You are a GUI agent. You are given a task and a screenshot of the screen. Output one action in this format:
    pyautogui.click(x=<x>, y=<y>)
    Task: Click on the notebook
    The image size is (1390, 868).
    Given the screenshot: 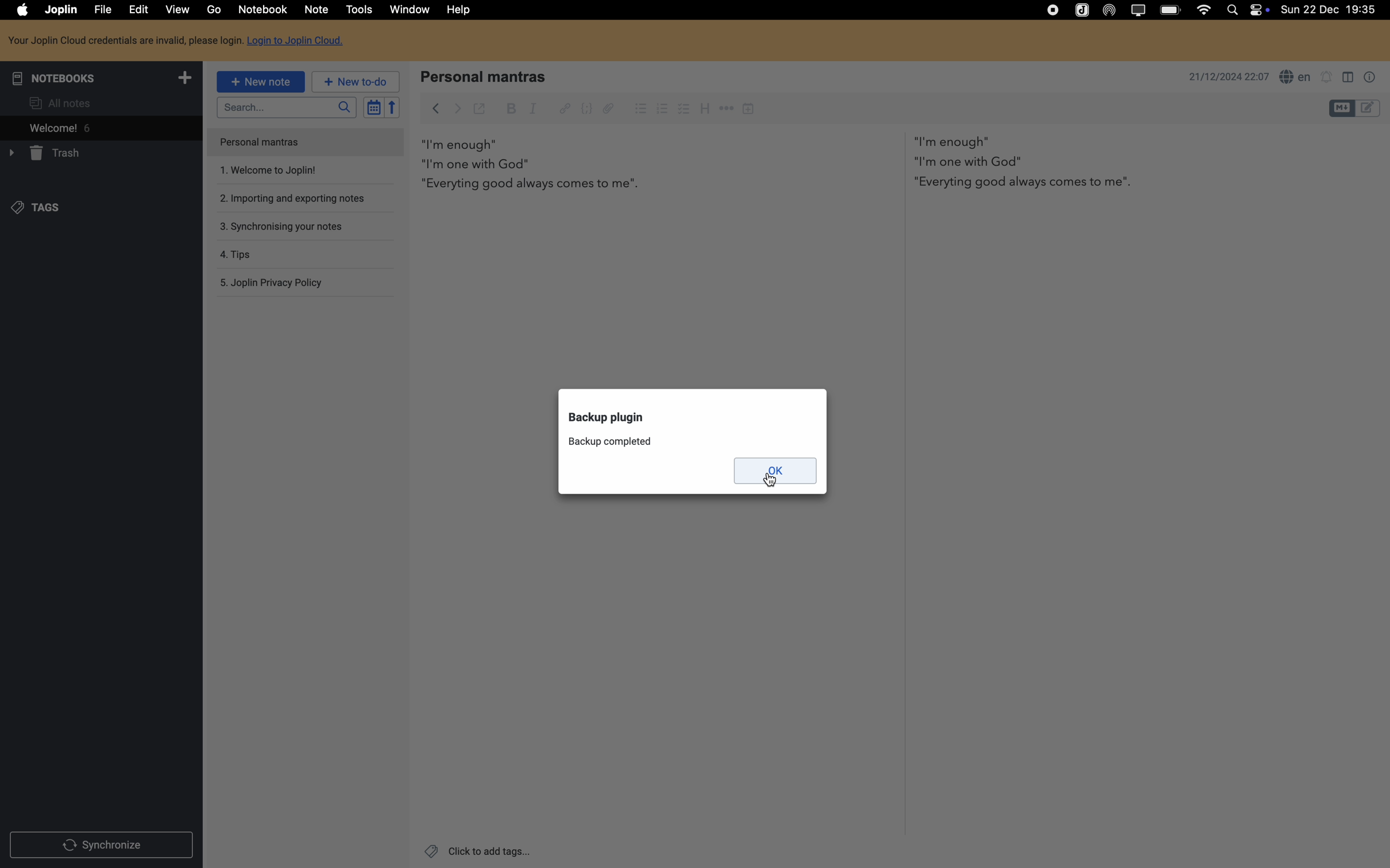 What is the action you would take?
    pyautogui.click(x=262, y=10)
    